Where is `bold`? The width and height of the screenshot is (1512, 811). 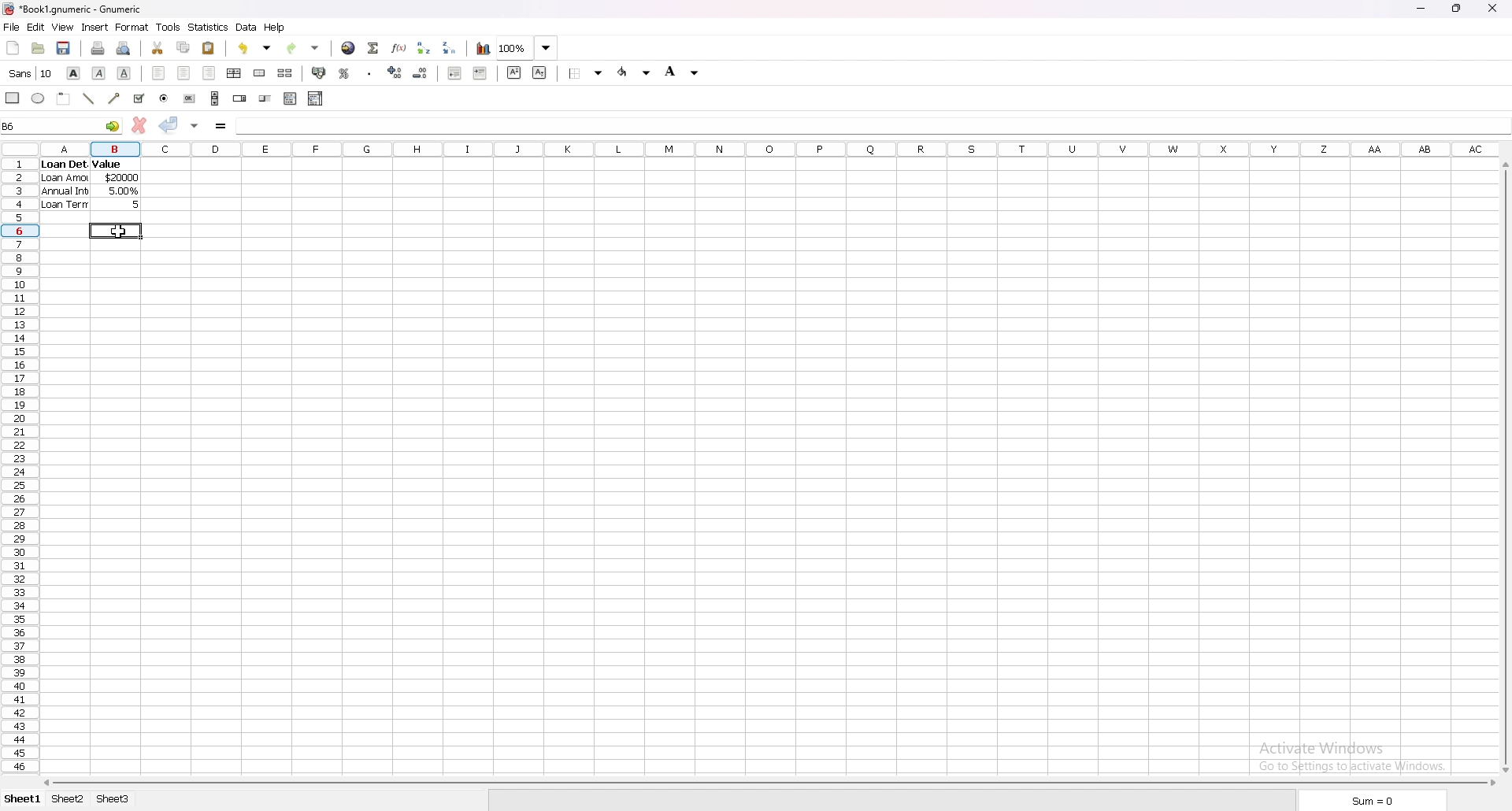
bold is located at coordinates (73, 72).